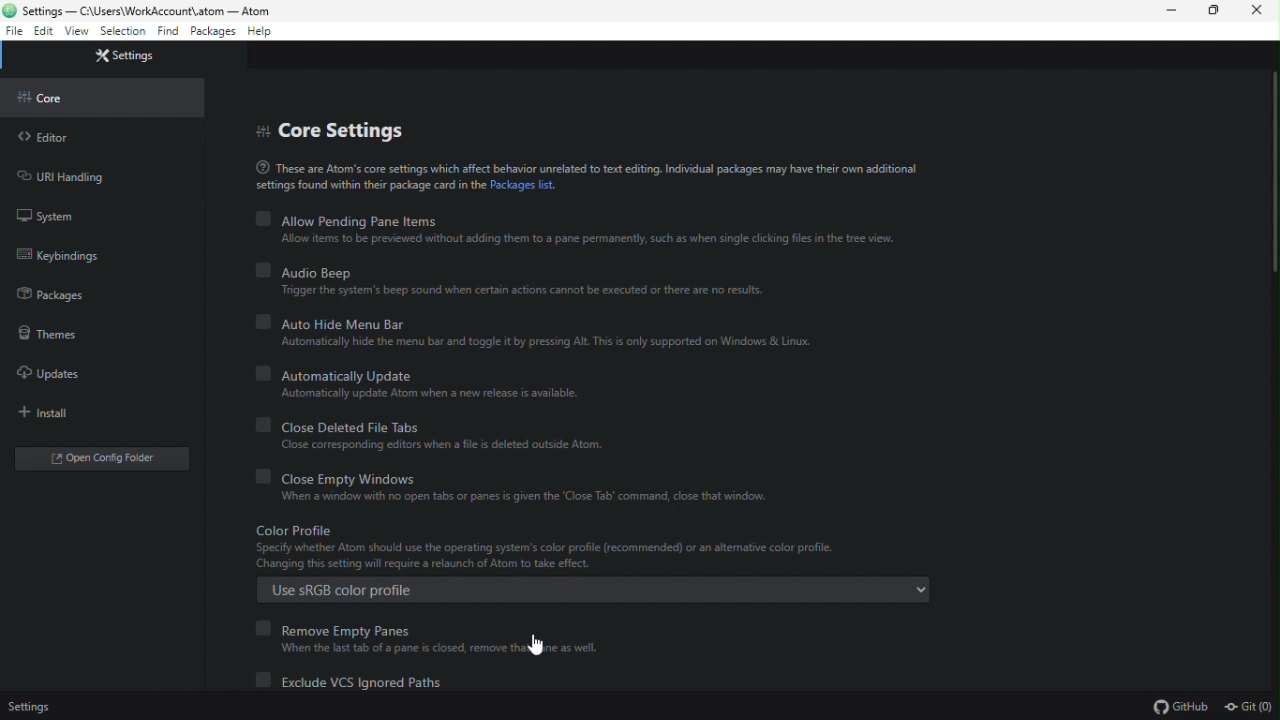 The height and width of the screenshot is (720, 1280). I want to click on restore, so click(1215, 13).